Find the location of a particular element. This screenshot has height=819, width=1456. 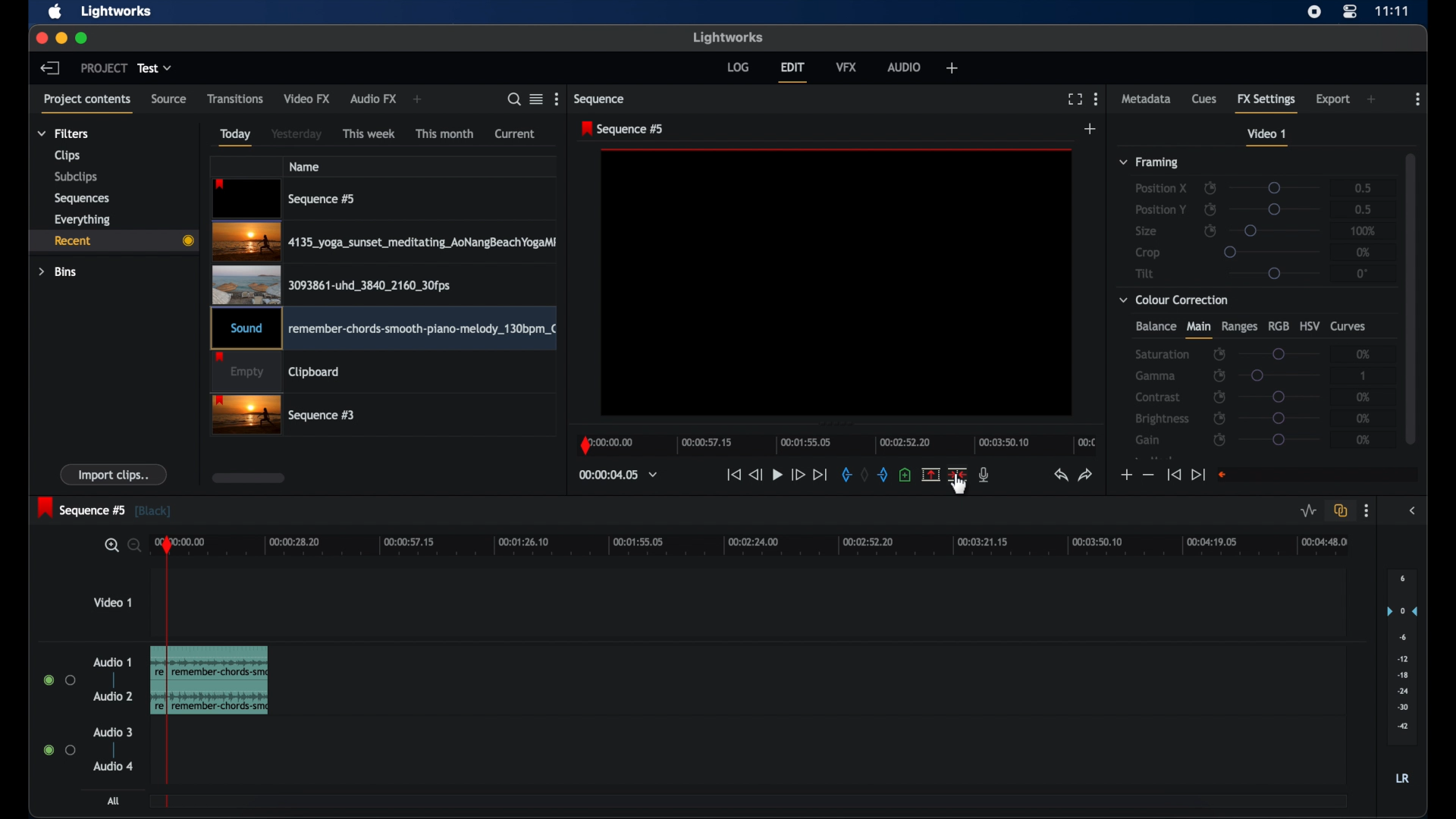

slider is located at coordinates (1279, 397).